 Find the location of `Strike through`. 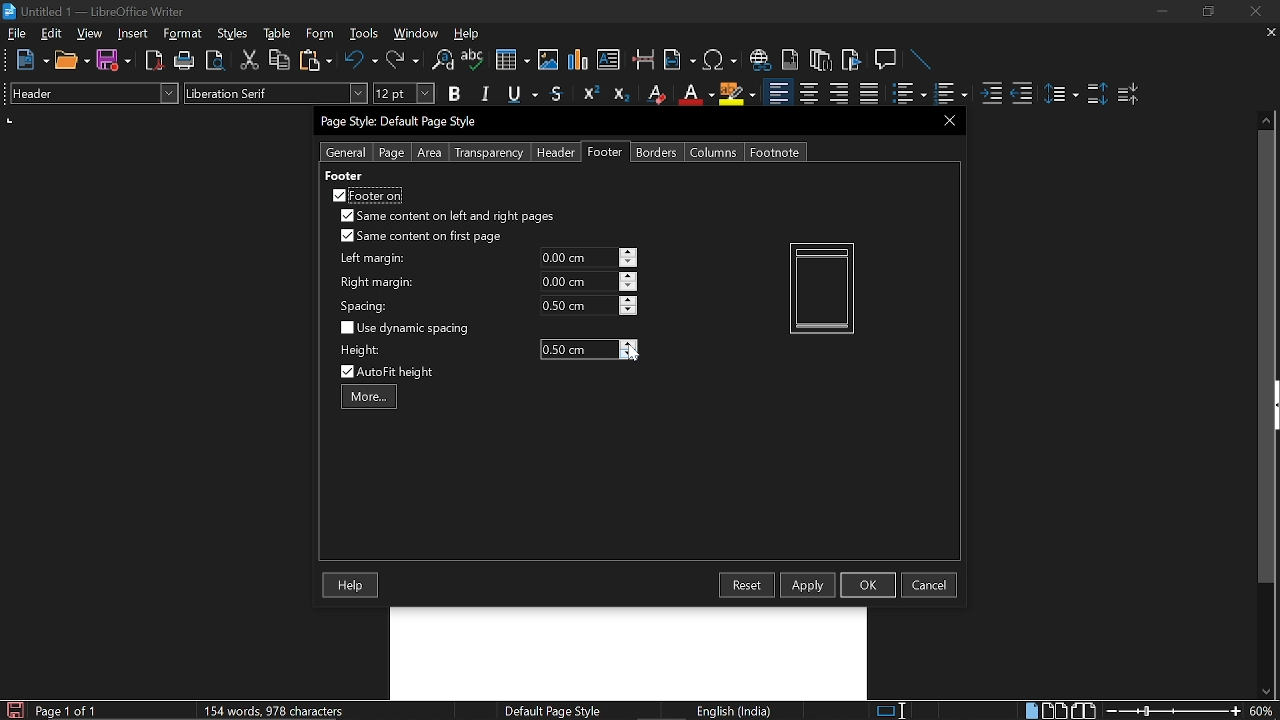

Strike through is located at coordinates (557, 93).